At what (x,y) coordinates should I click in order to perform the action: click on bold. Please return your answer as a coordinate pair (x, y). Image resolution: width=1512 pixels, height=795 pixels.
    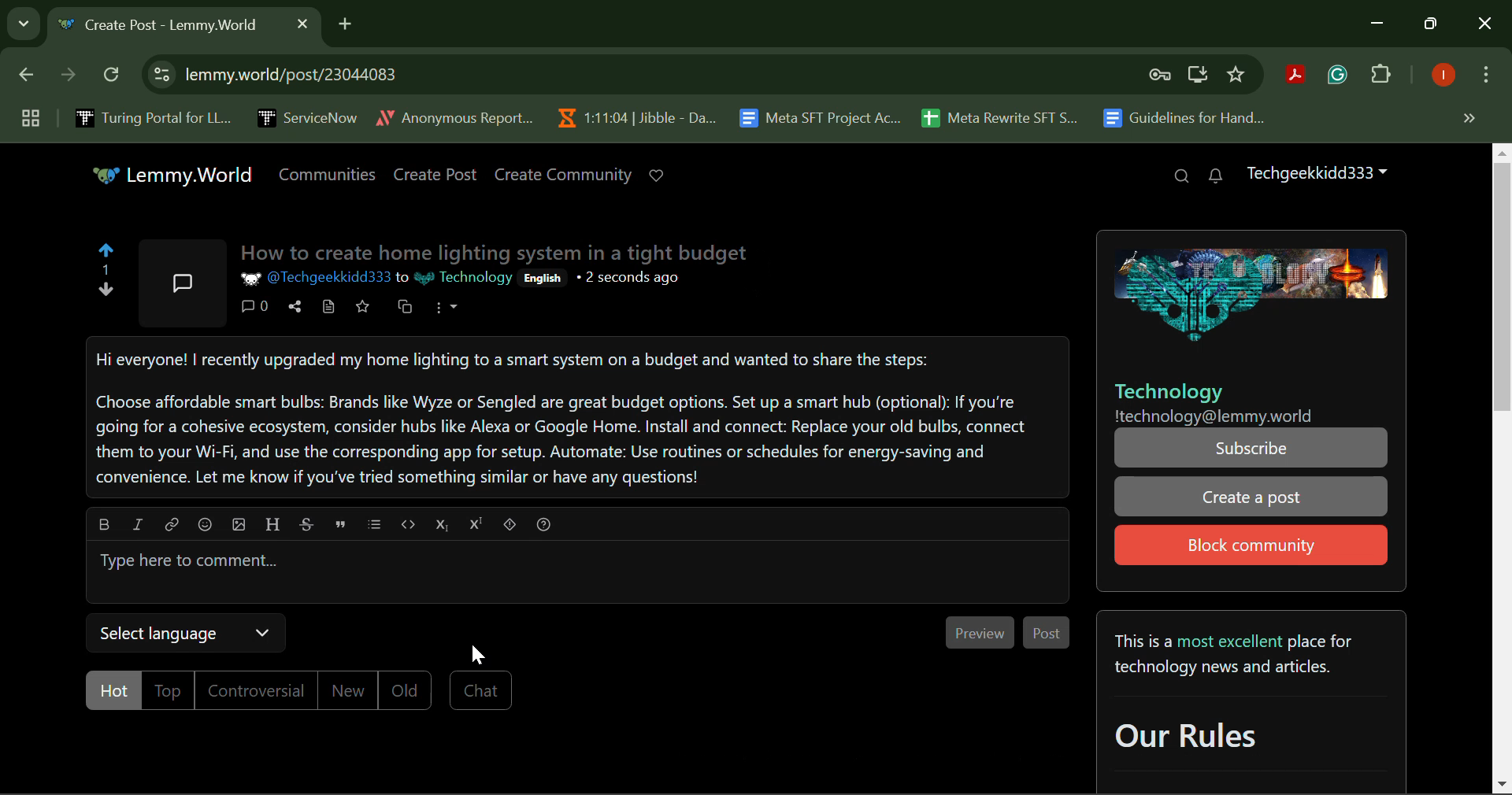
    Looking at the image, I should click on (104, 523).